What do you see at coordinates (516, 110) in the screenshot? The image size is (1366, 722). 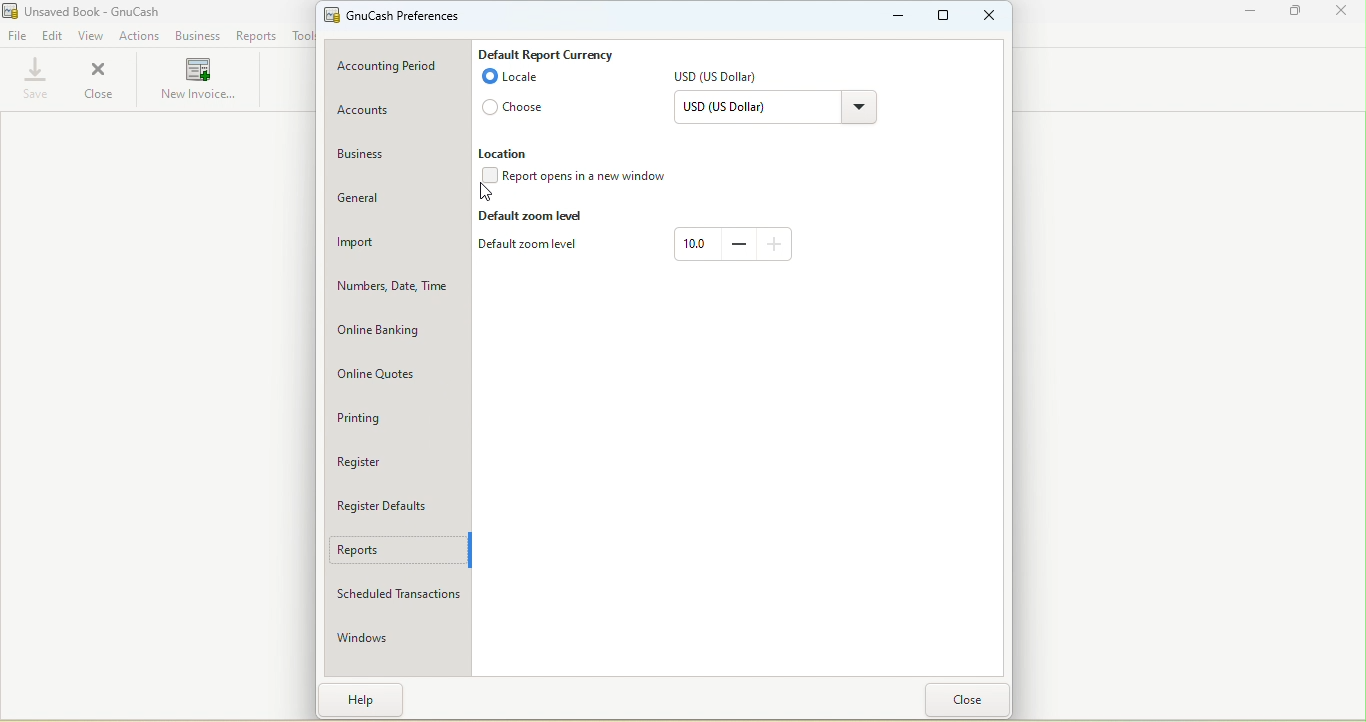 I see `Choose` at bounding box center [516, 110].